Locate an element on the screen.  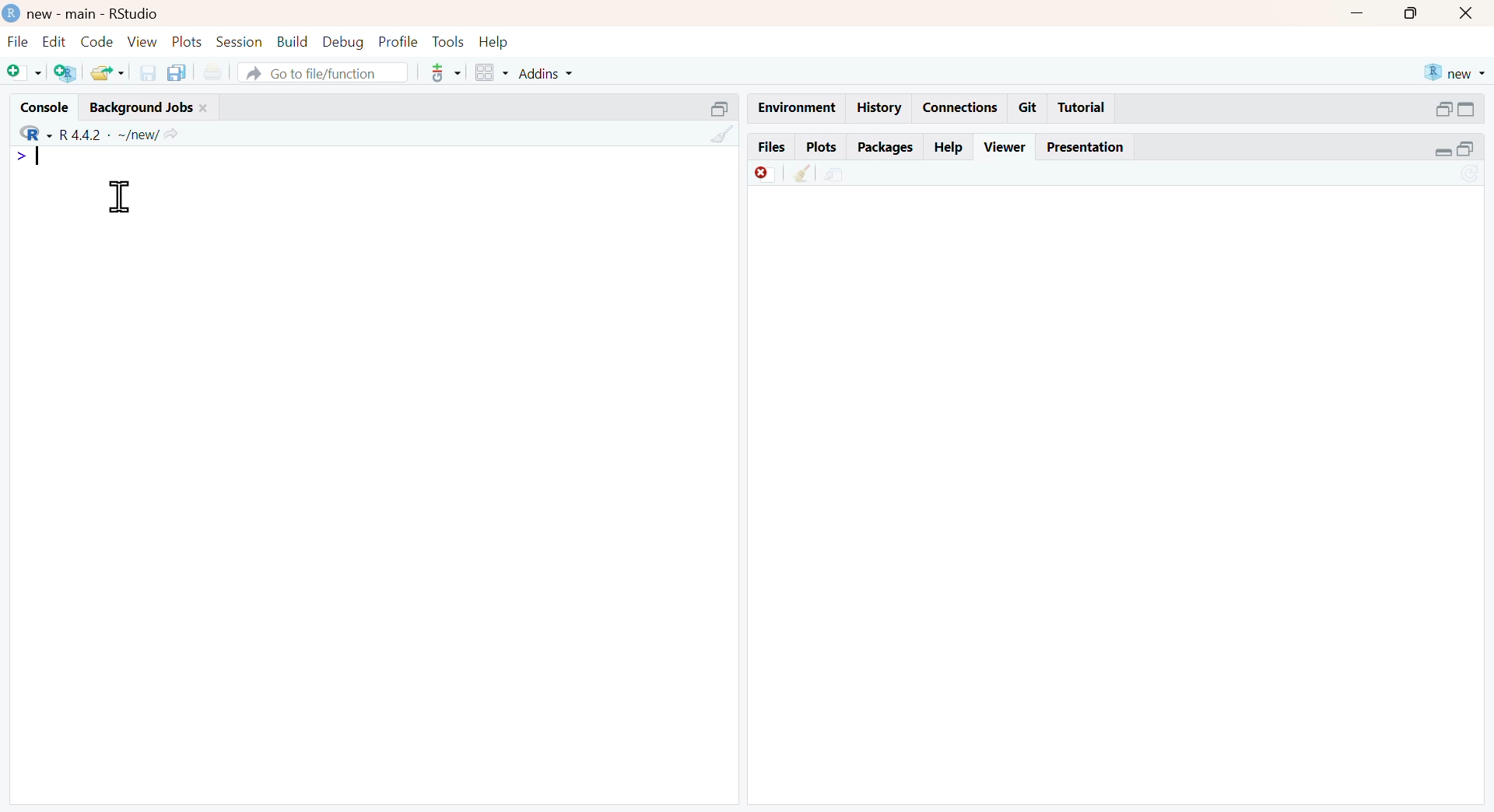
files is located at coordinates (773, 145).